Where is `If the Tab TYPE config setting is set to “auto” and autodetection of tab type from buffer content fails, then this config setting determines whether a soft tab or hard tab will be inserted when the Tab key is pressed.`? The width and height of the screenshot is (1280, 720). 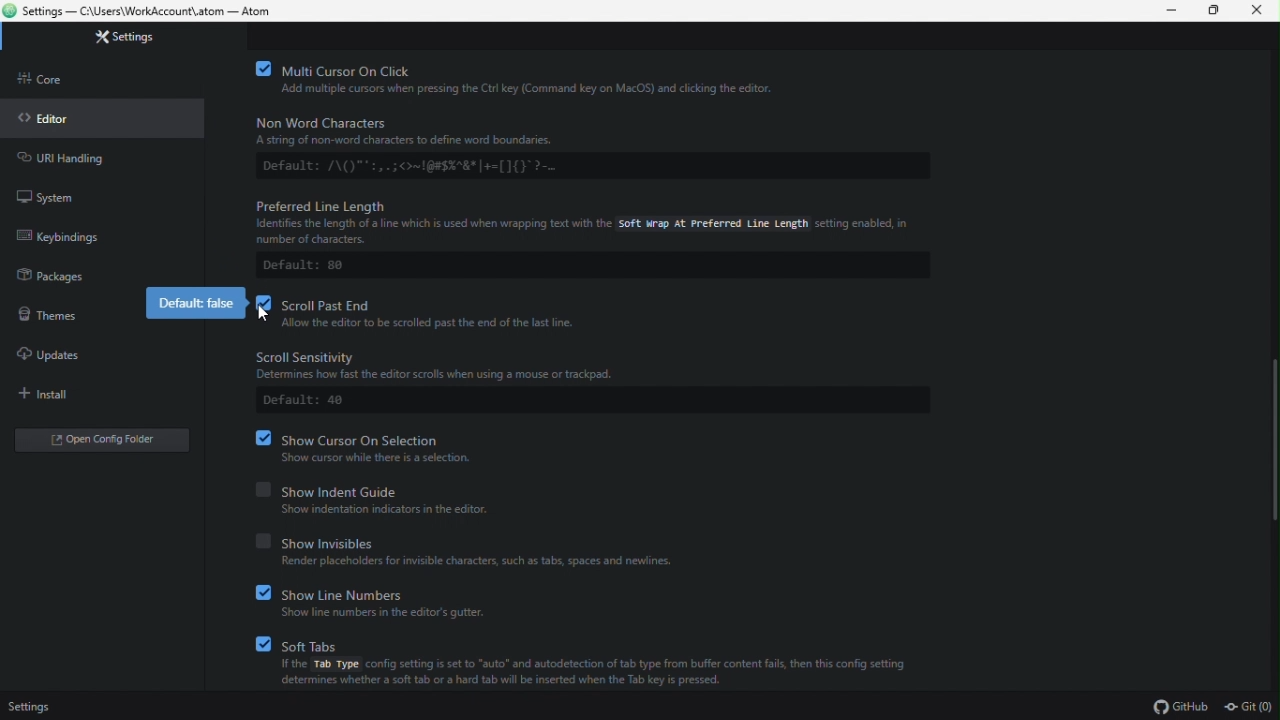
If the Tab TYPE config setting is set to “auto” and autodetection of tab type from buffer content fails, then this config setting determines whether a soft tab or hard tab will be inserted when the Tab key is pressed. is located at coordinates (596, 677).